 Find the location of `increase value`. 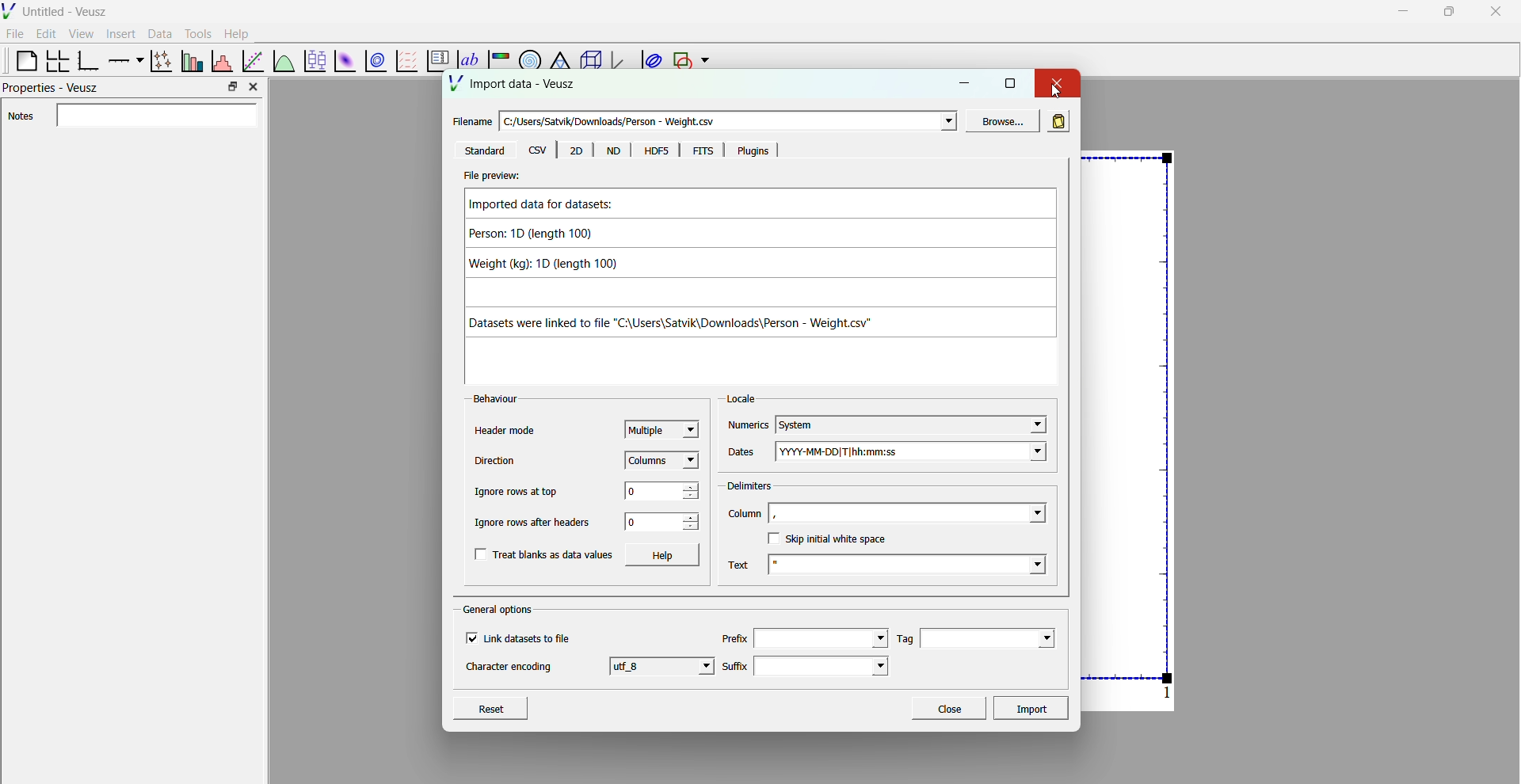

increase value is located at coordinates (693, 517).